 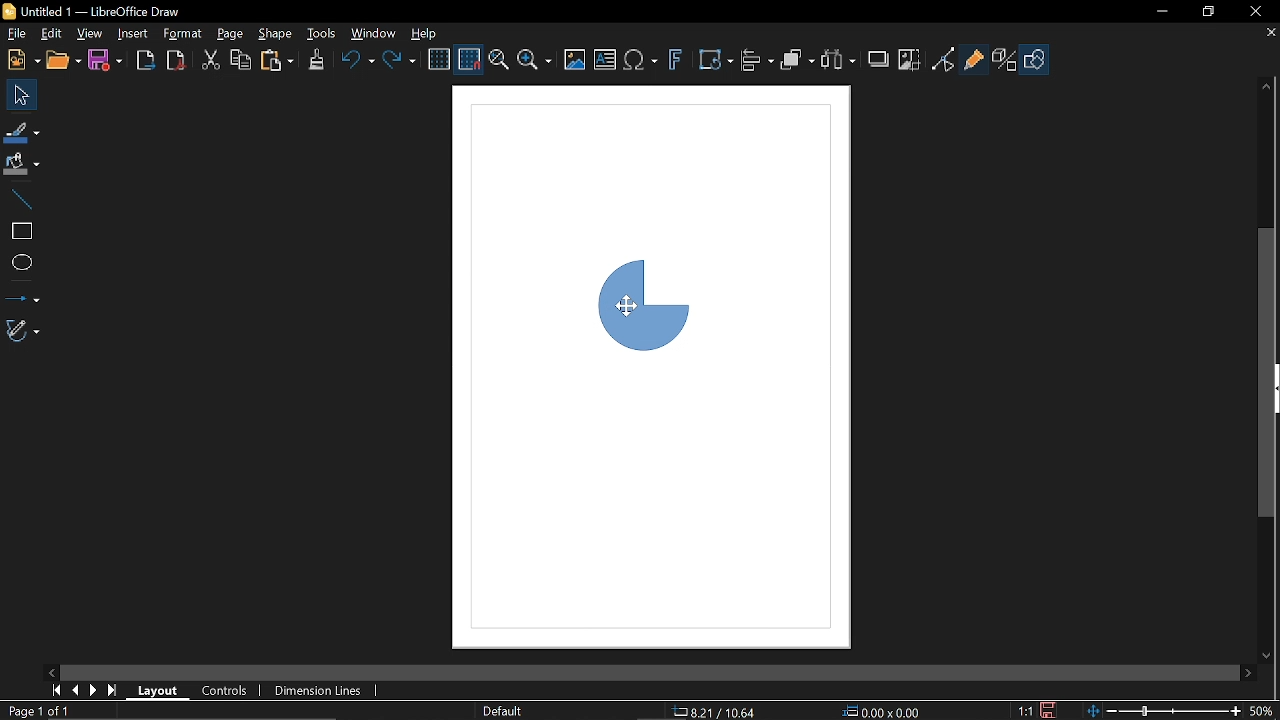 What do you see at coordinates (1038, 710) in the screenshot?
I see `1:1 (Scaling factor of the document)` at bounding box center [1038, 710].